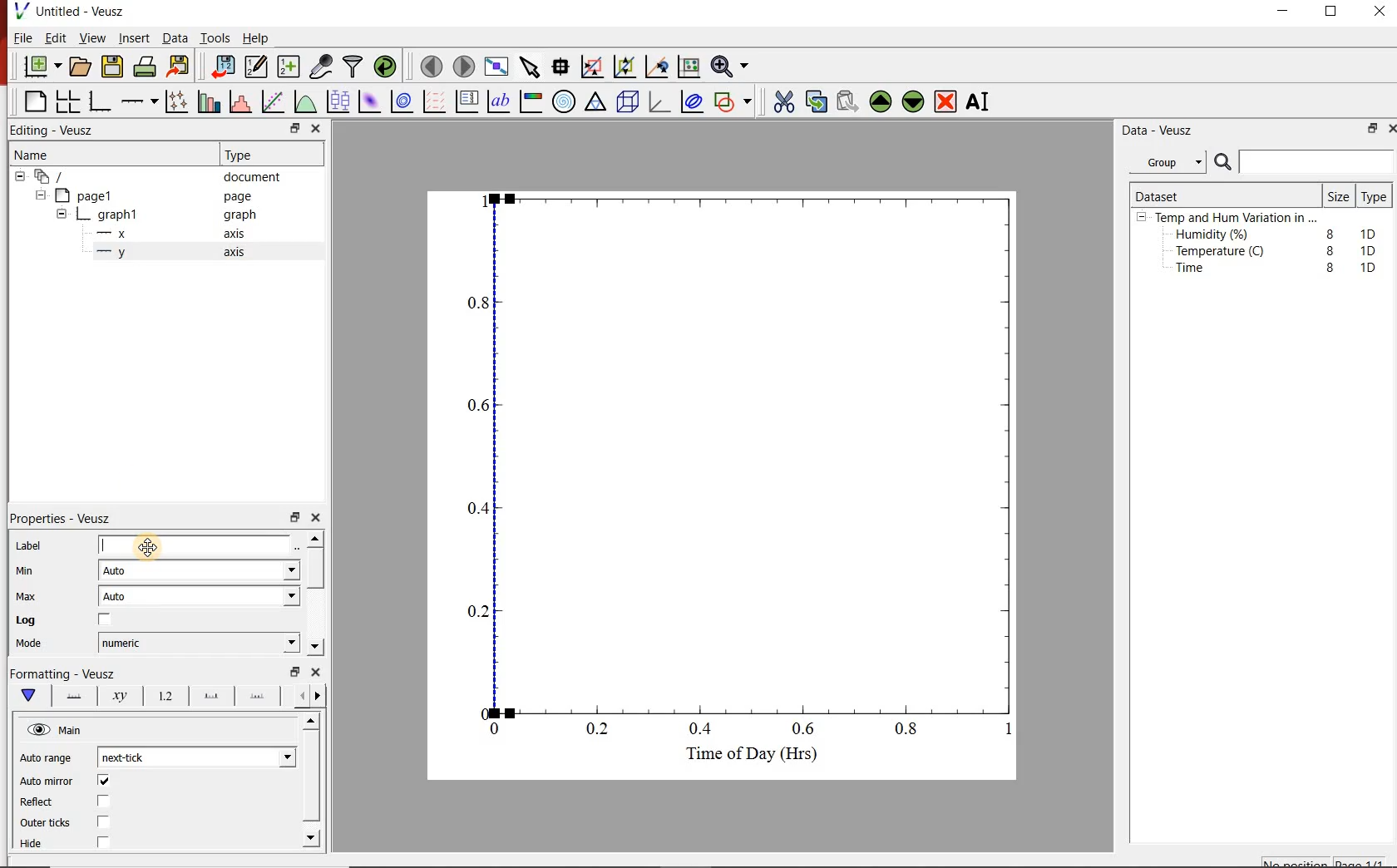  Describe the element at coordinates (816, 101) in the screenshot. I see `copy the selected widget` at that location.